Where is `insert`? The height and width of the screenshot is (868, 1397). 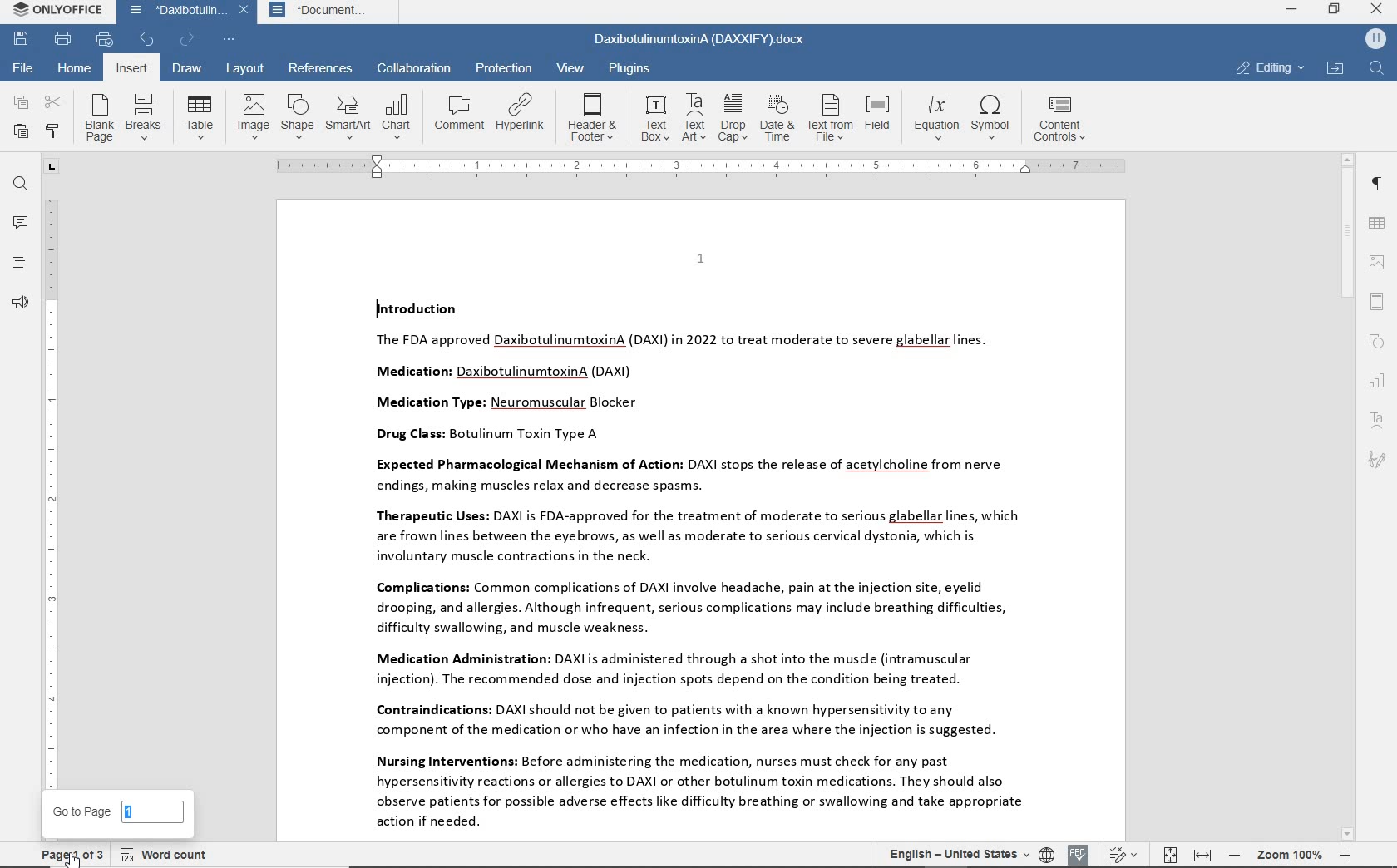 insert is located at coordinates (130, 68).